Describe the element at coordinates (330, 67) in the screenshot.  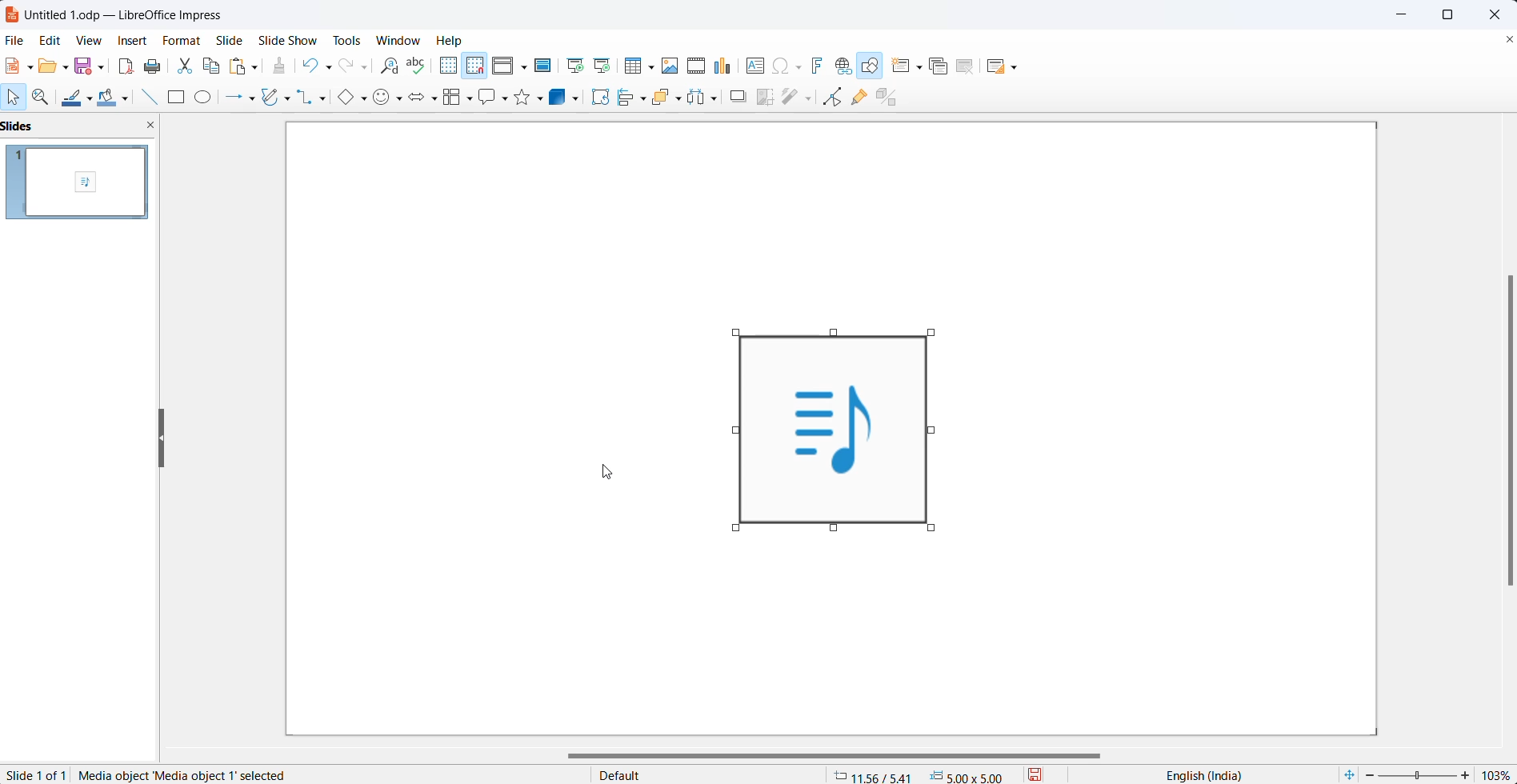
I see `actions to undo list dropdown button` at that location.